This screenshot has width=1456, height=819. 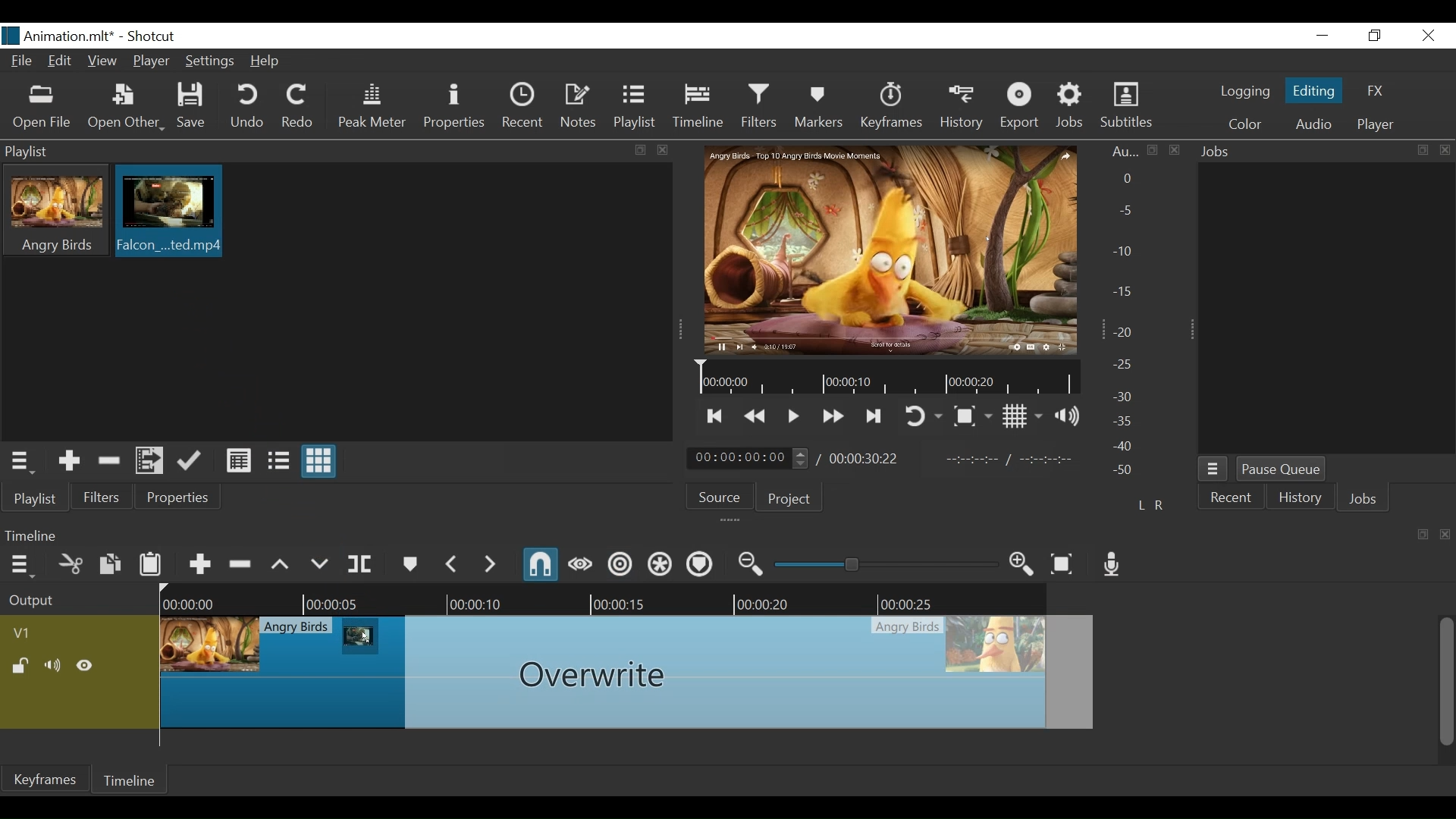 What do you see at coordinates (973, 416) in the screenshot?
I see `Toggle Zoom` at bounding box center [973, 416].